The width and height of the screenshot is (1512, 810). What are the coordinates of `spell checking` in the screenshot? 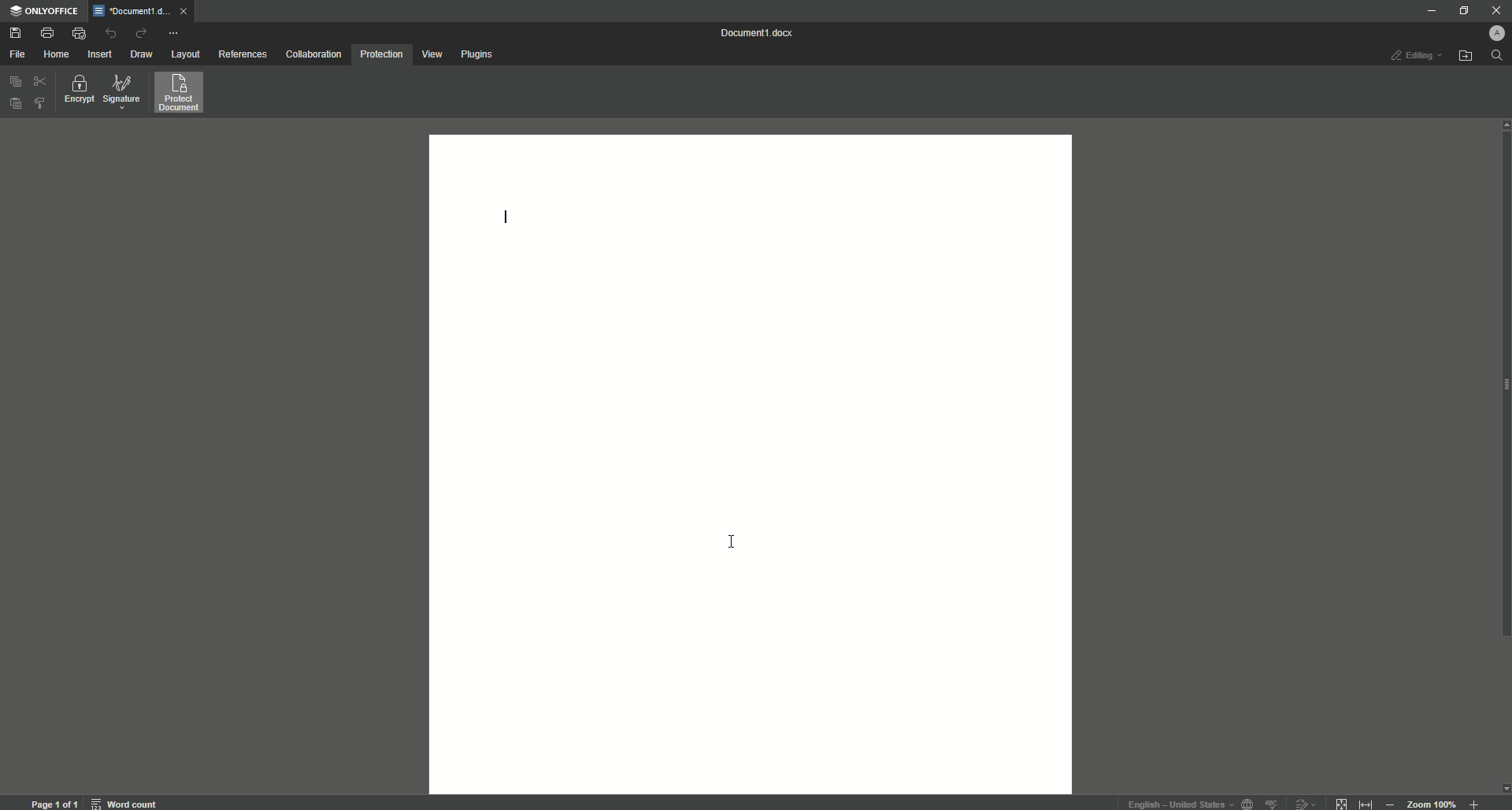 It's located at (1273, 802).